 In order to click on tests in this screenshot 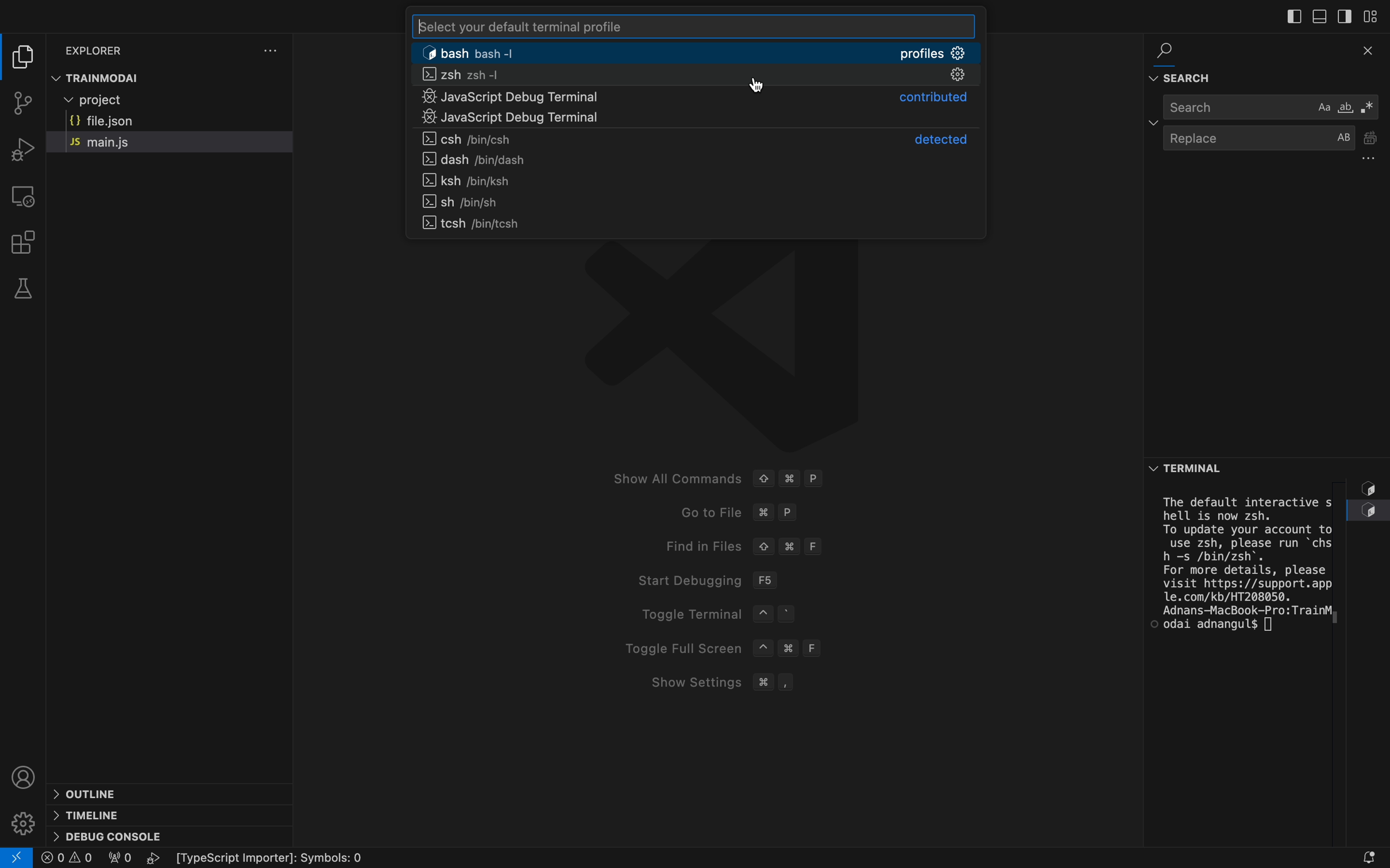, I will do `click(24, 289)`.